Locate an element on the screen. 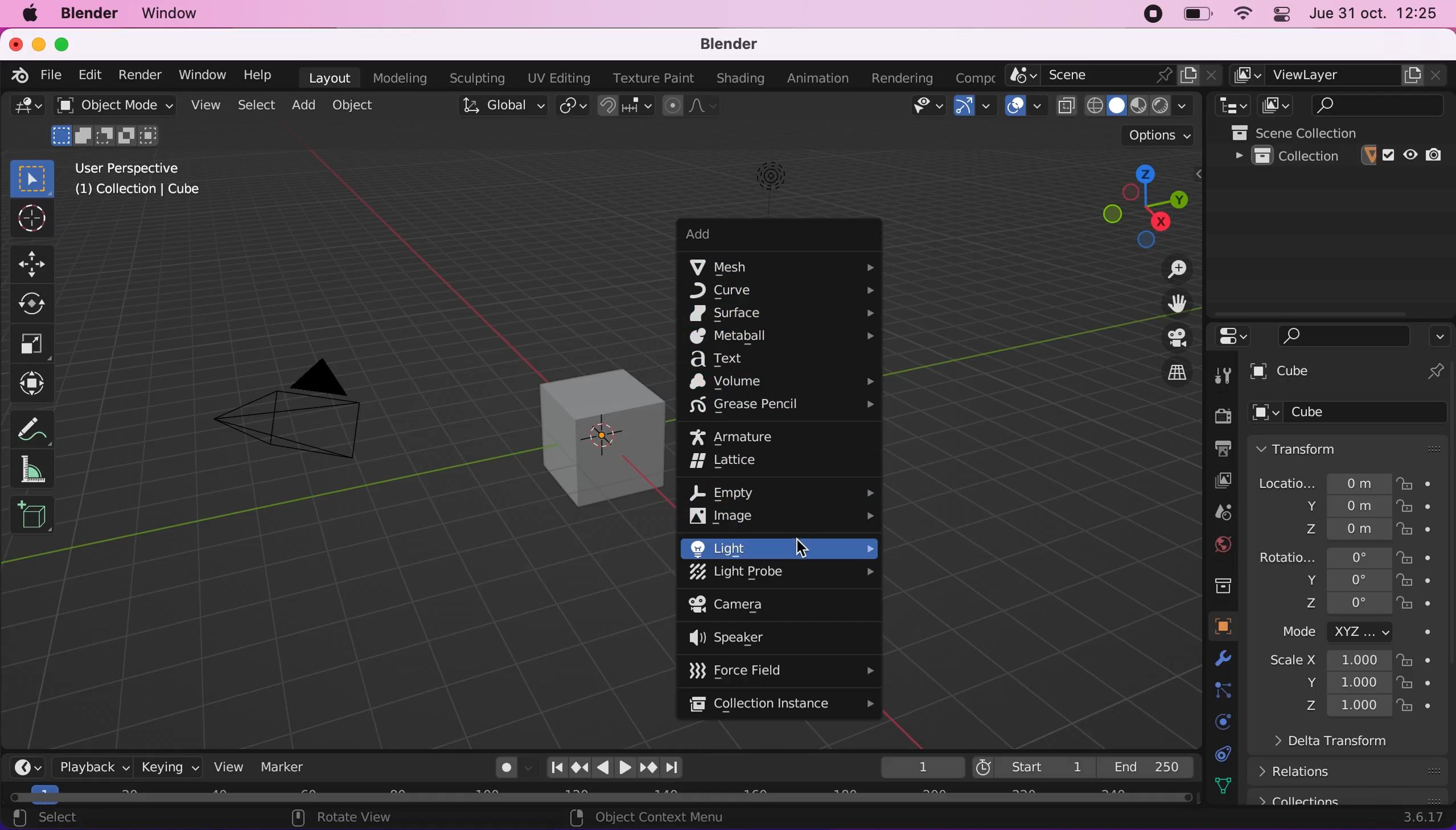 The width and height of the screenshot is (1456, 830). 3.6.17 is located at coordinates (1421, 819).